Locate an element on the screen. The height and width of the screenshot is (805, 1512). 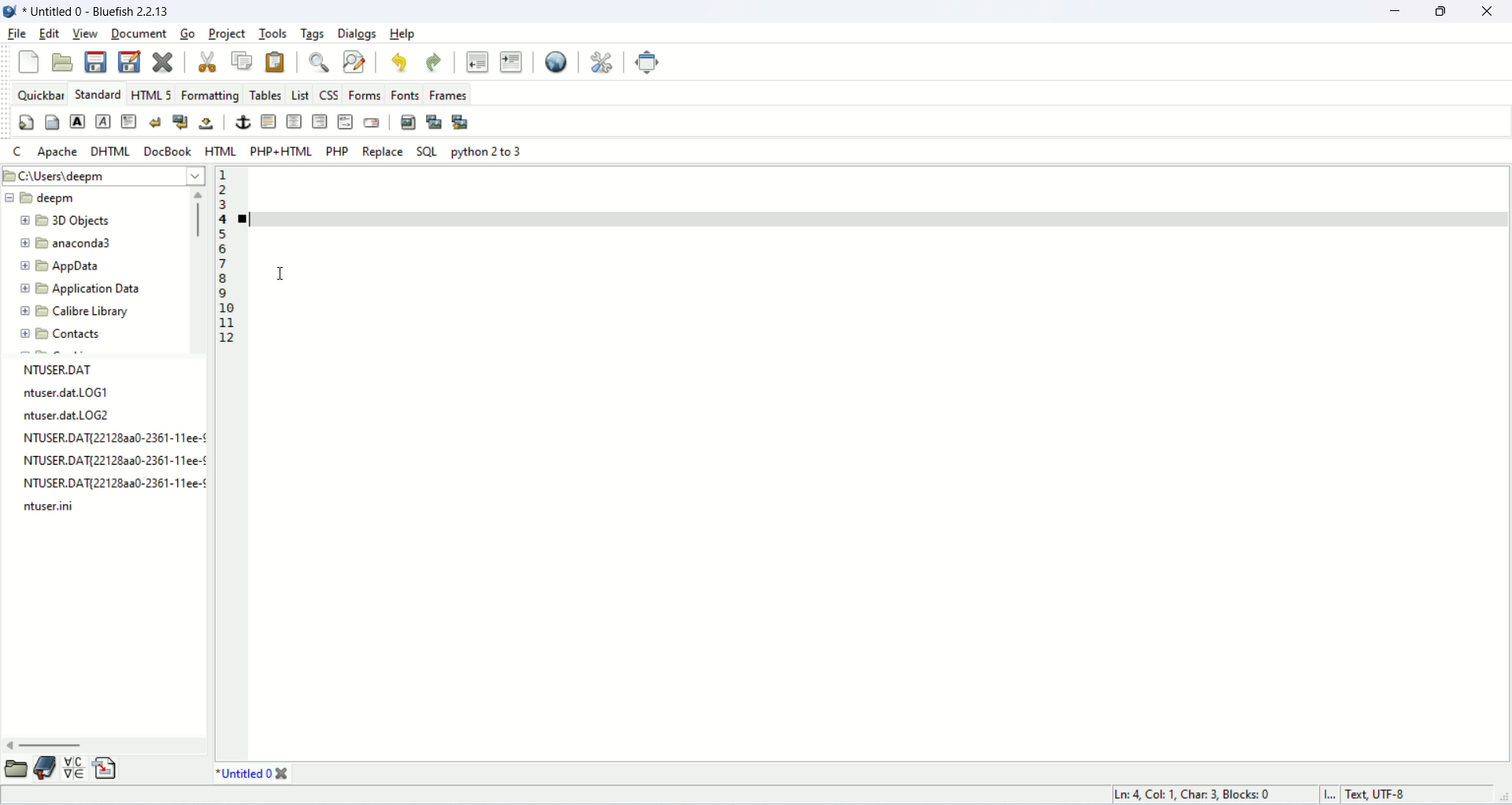
application icon is located at coordinates (10, 10).